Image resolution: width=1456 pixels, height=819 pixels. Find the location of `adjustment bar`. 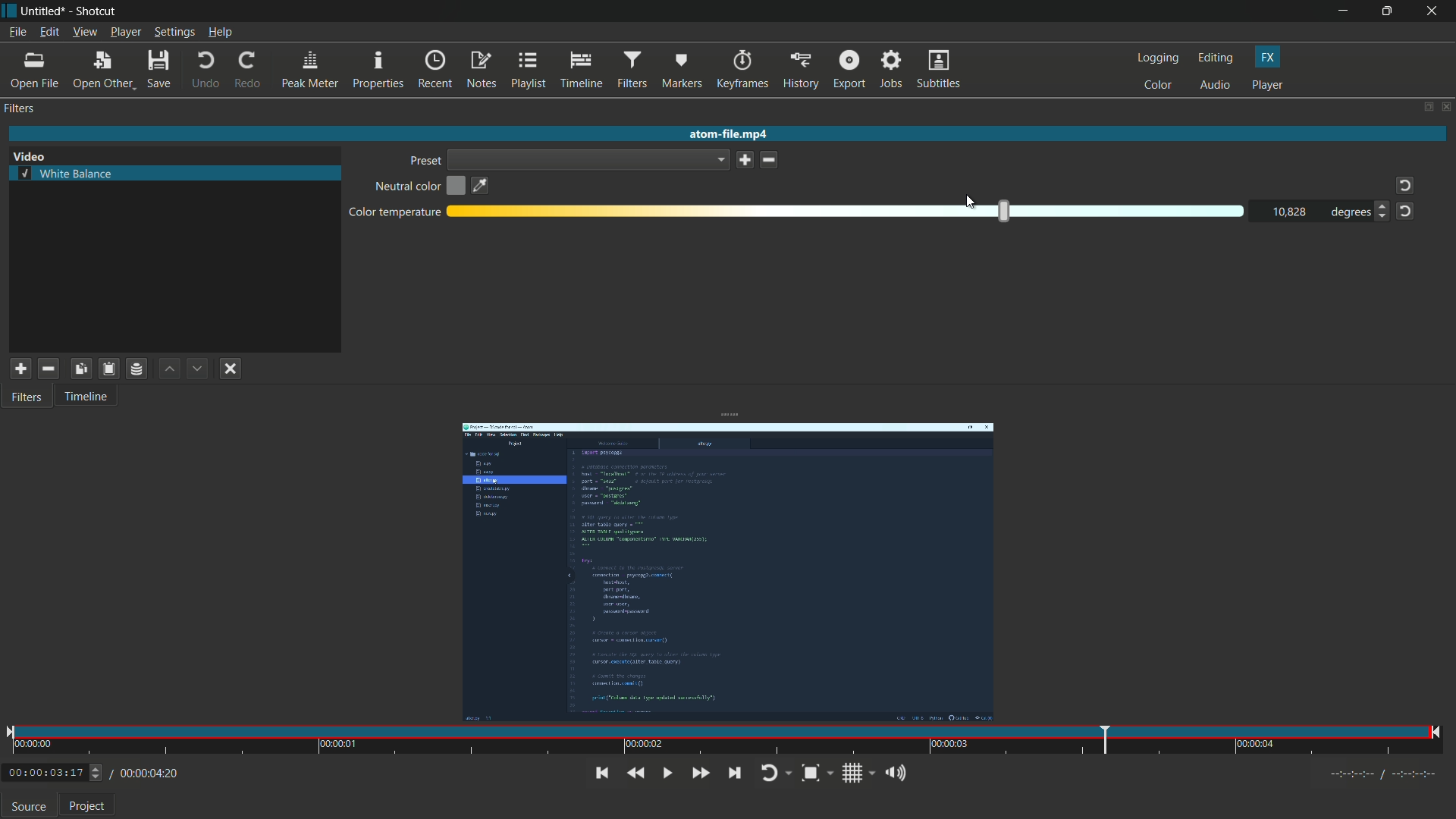

adjustment bar is located at coordinates (848, 211).